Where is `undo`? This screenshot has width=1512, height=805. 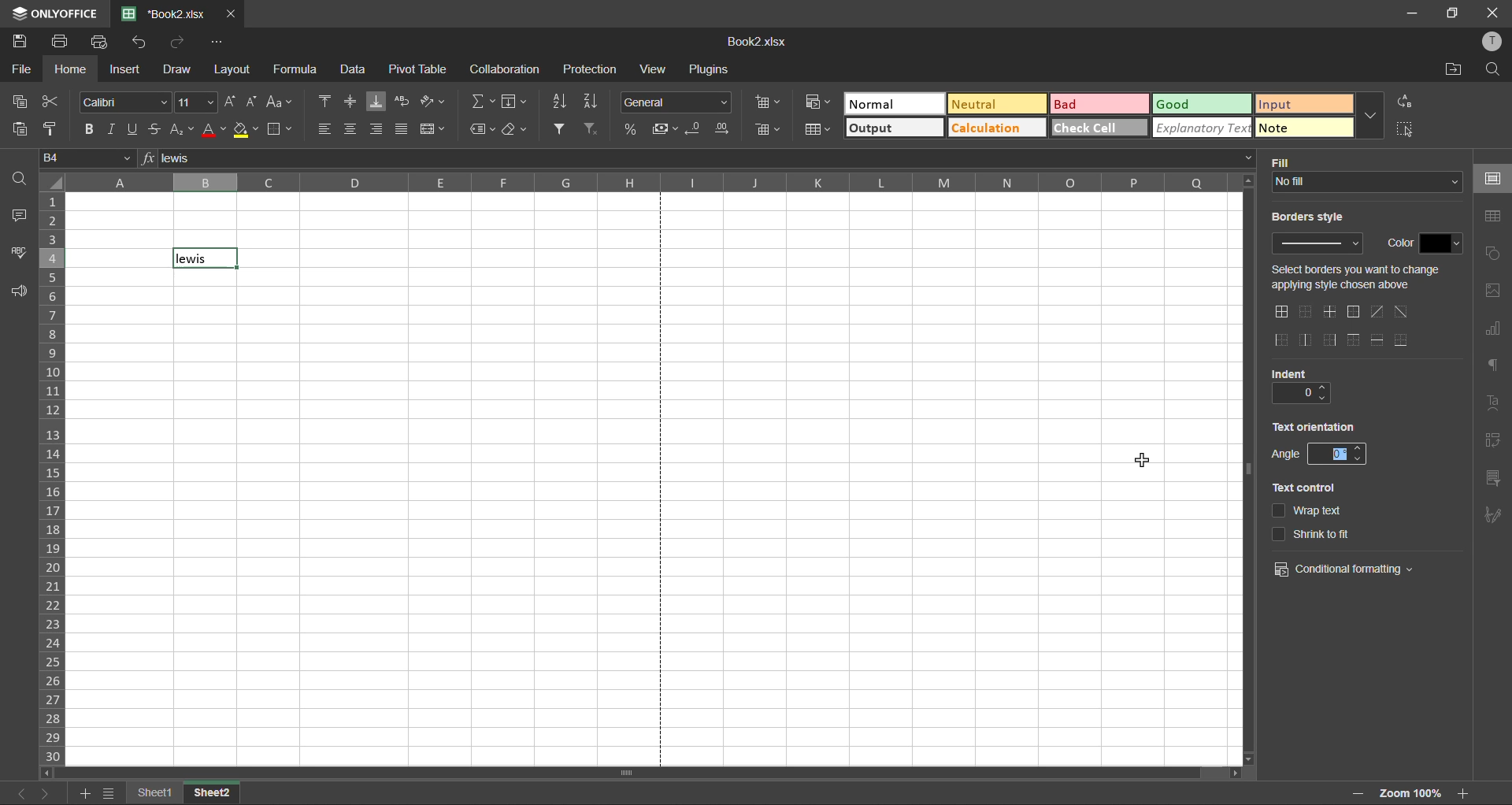 undo is located at coordinates (139, 42).